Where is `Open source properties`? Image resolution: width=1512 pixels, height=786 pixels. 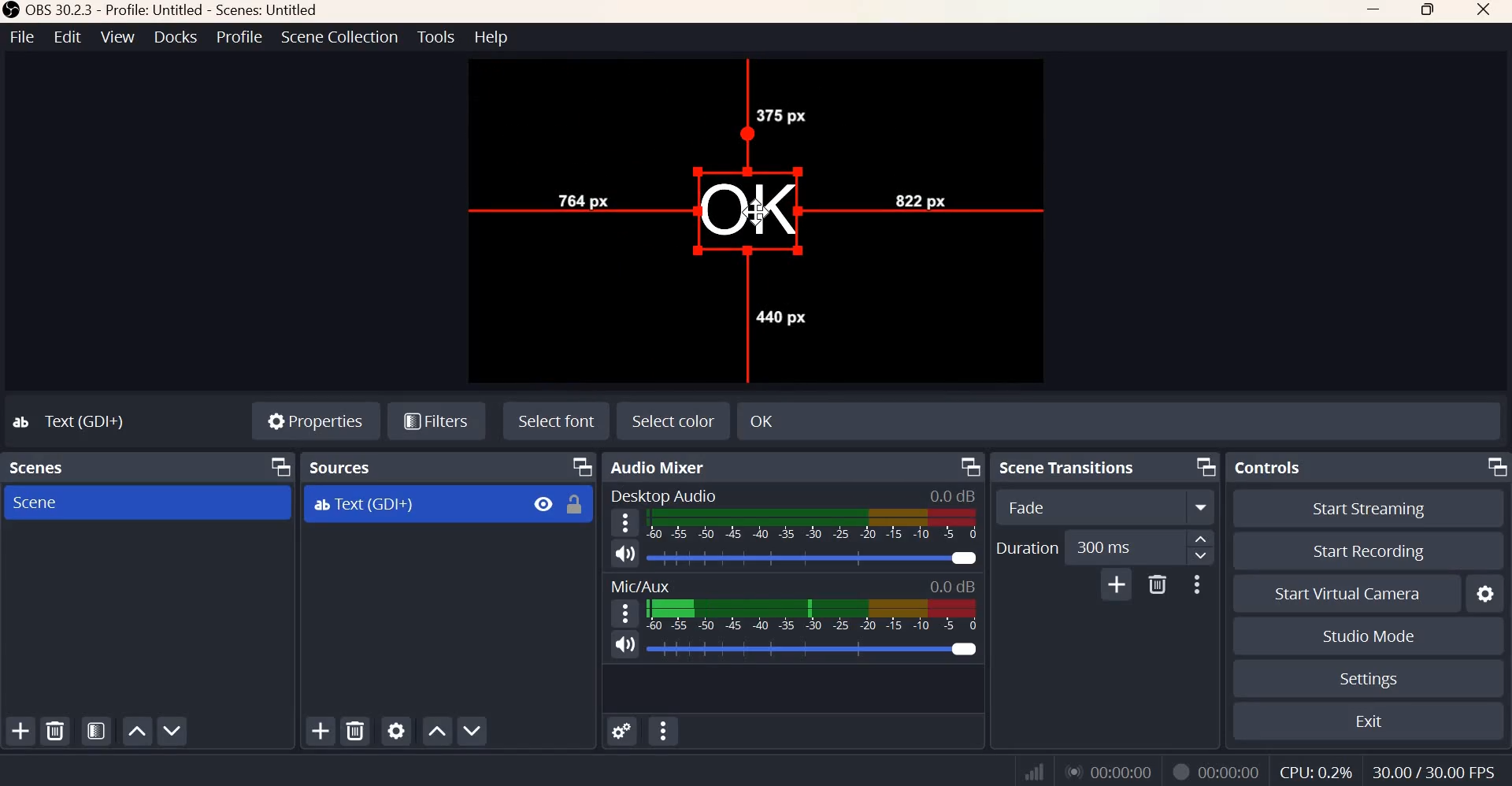 Open source properties is located at coordinates (395, 730).